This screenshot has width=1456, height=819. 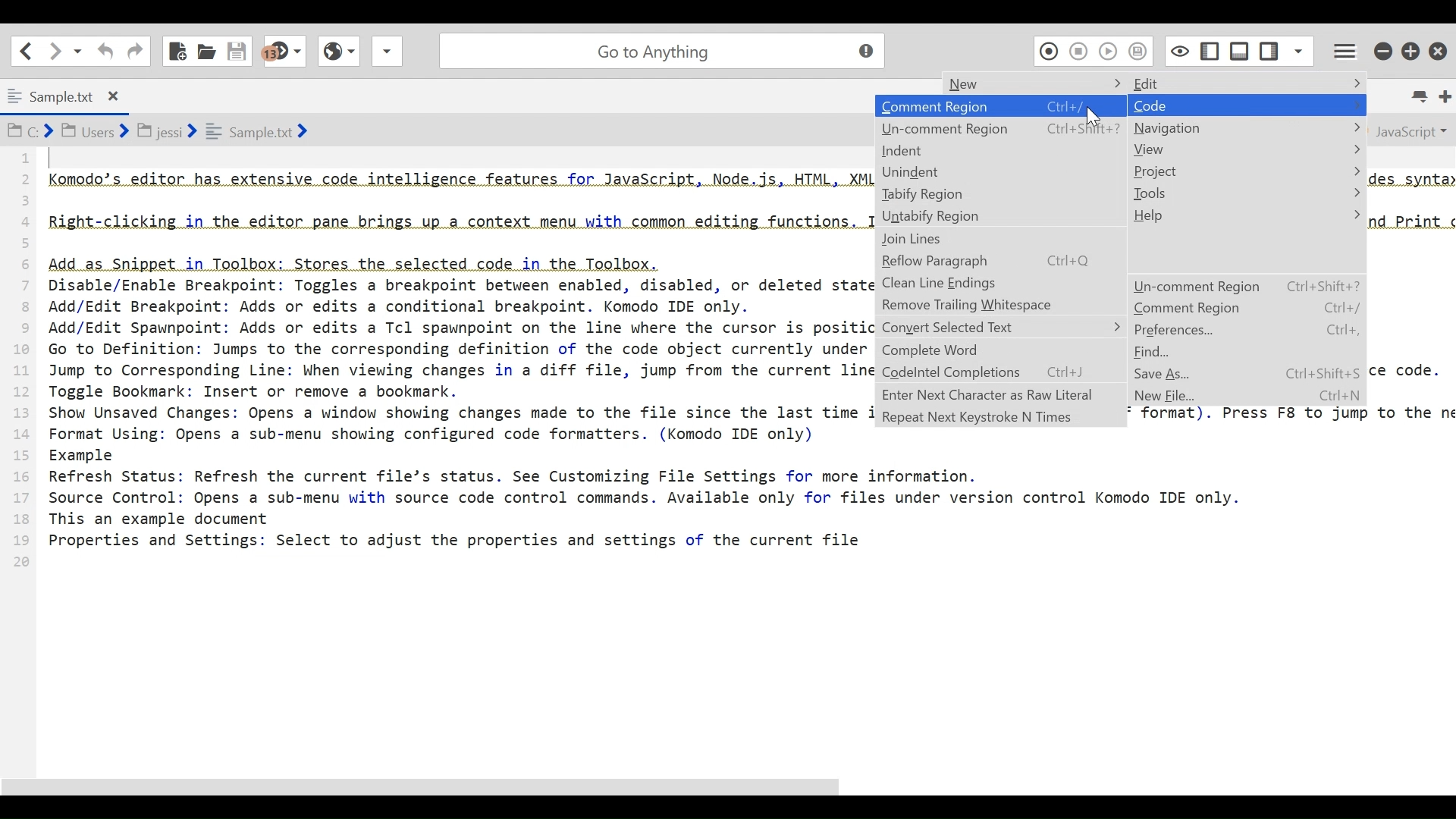 What do you see at coordinates (659, 49) in the screenshot?
I see `Search` at bounding box center [659, 49].